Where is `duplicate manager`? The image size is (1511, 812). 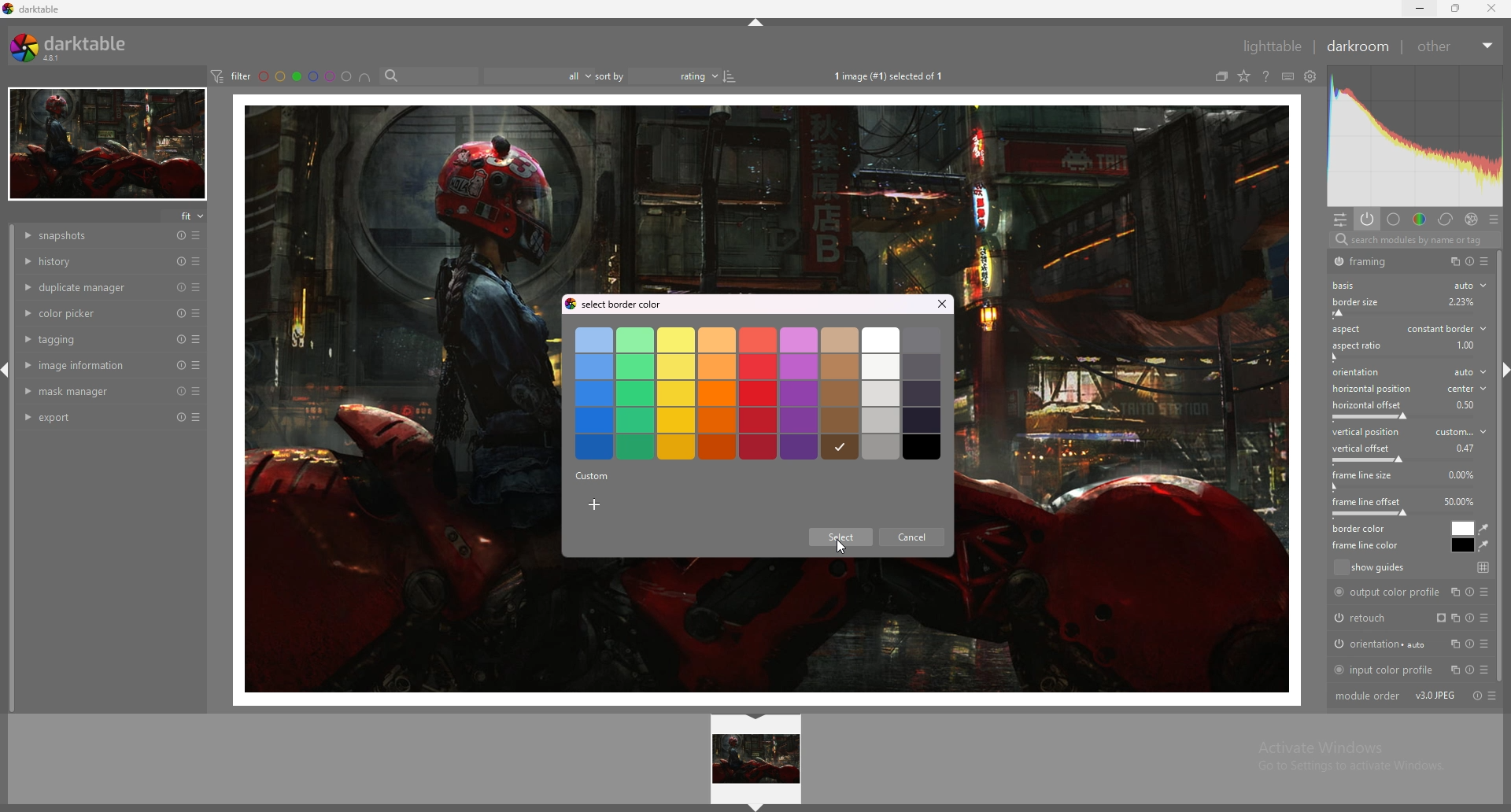 duplicate manager is located at coordinates (94, 286).